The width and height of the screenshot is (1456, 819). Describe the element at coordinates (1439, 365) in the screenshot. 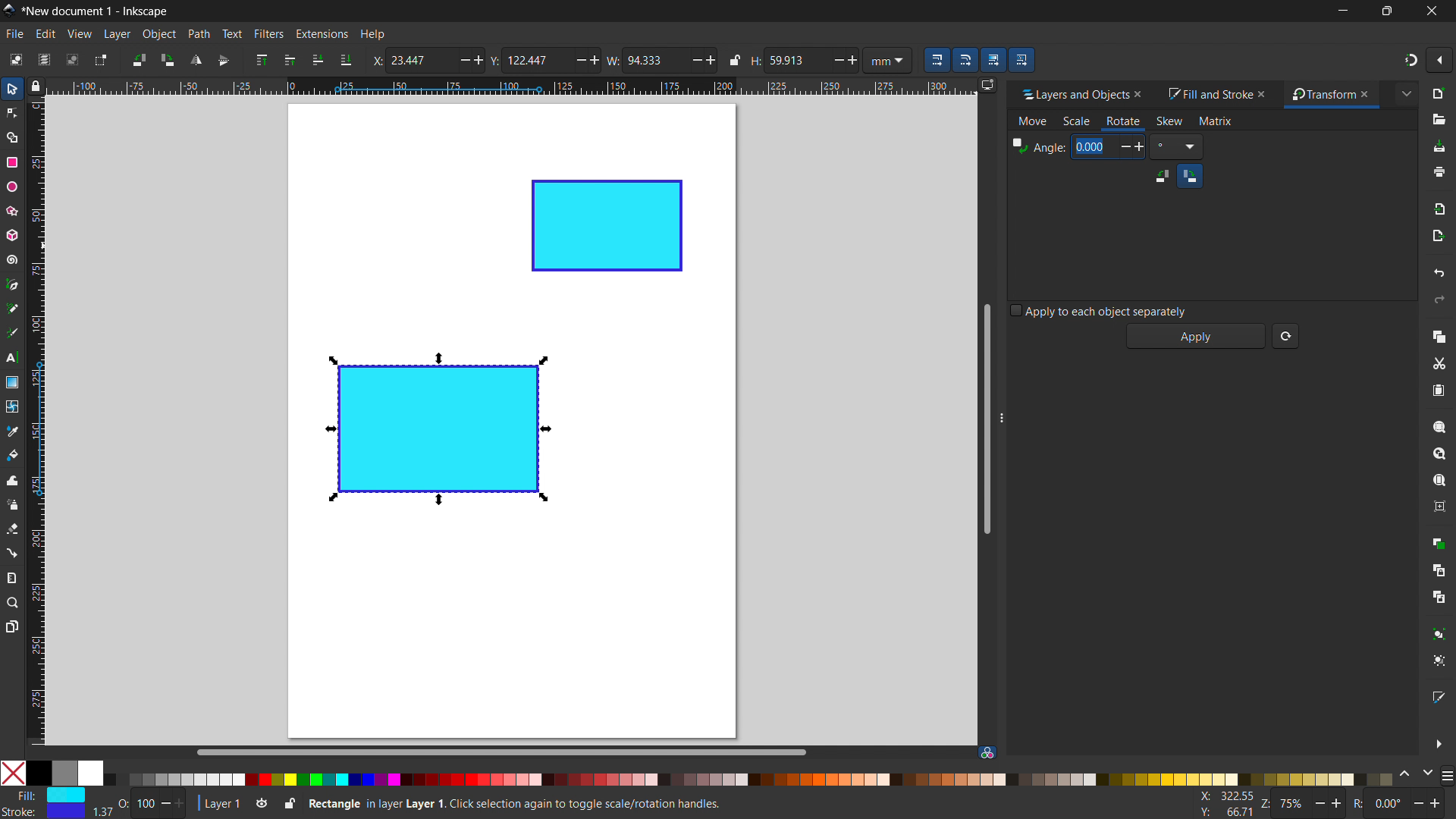

I see `cut` at that location.